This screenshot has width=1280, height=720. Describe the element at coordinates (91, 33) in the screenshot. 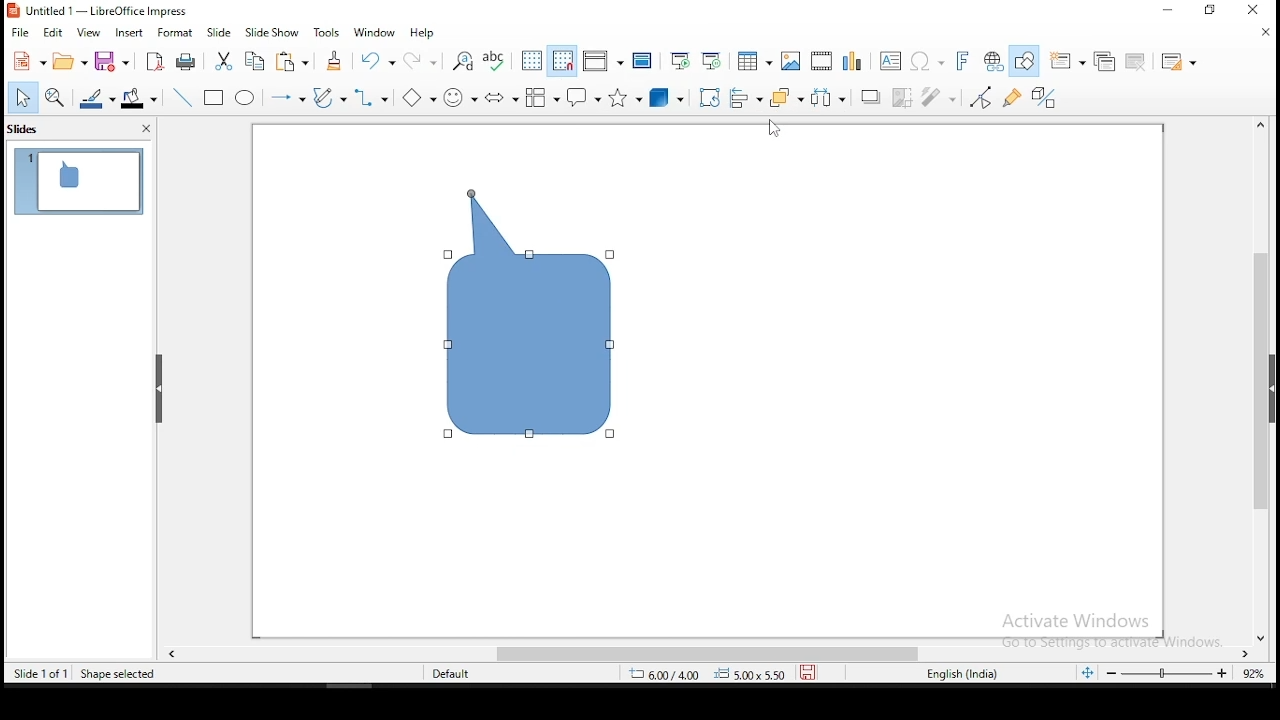

I see `view` at that location.